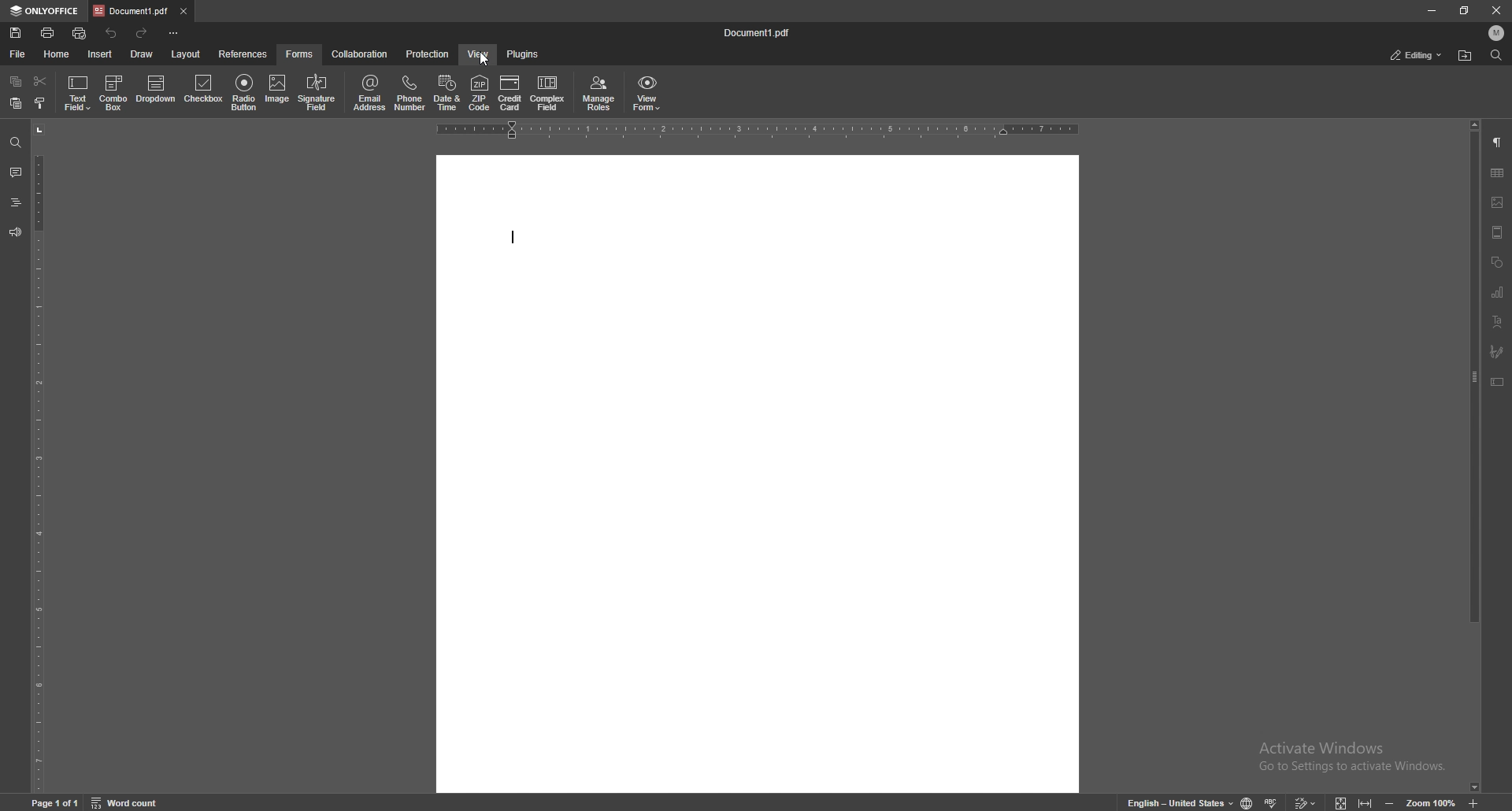  I want to click on fit to screen, so click(1344, 803).